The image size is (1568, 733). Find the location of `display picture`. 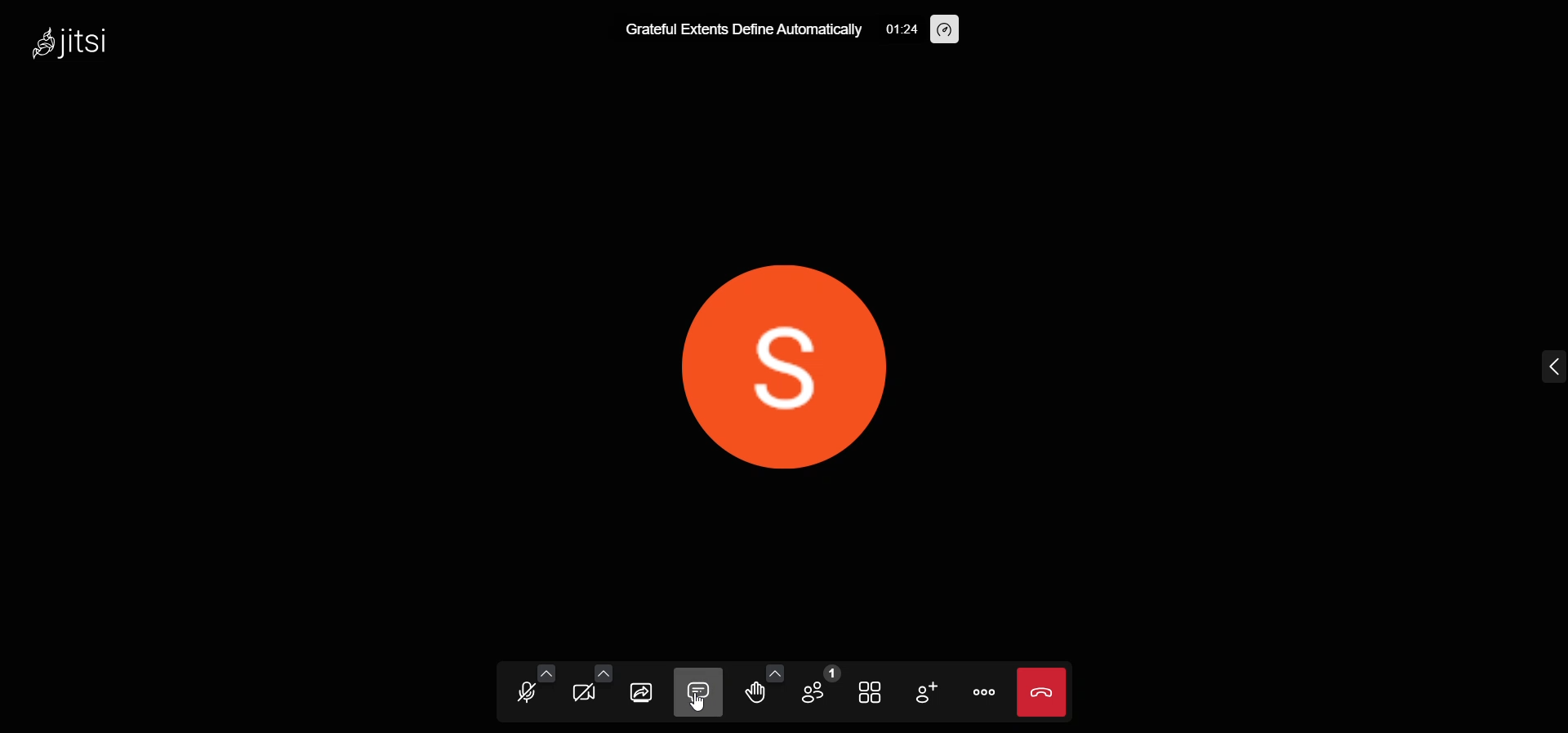

display picture is located at coordinates (794, 361).